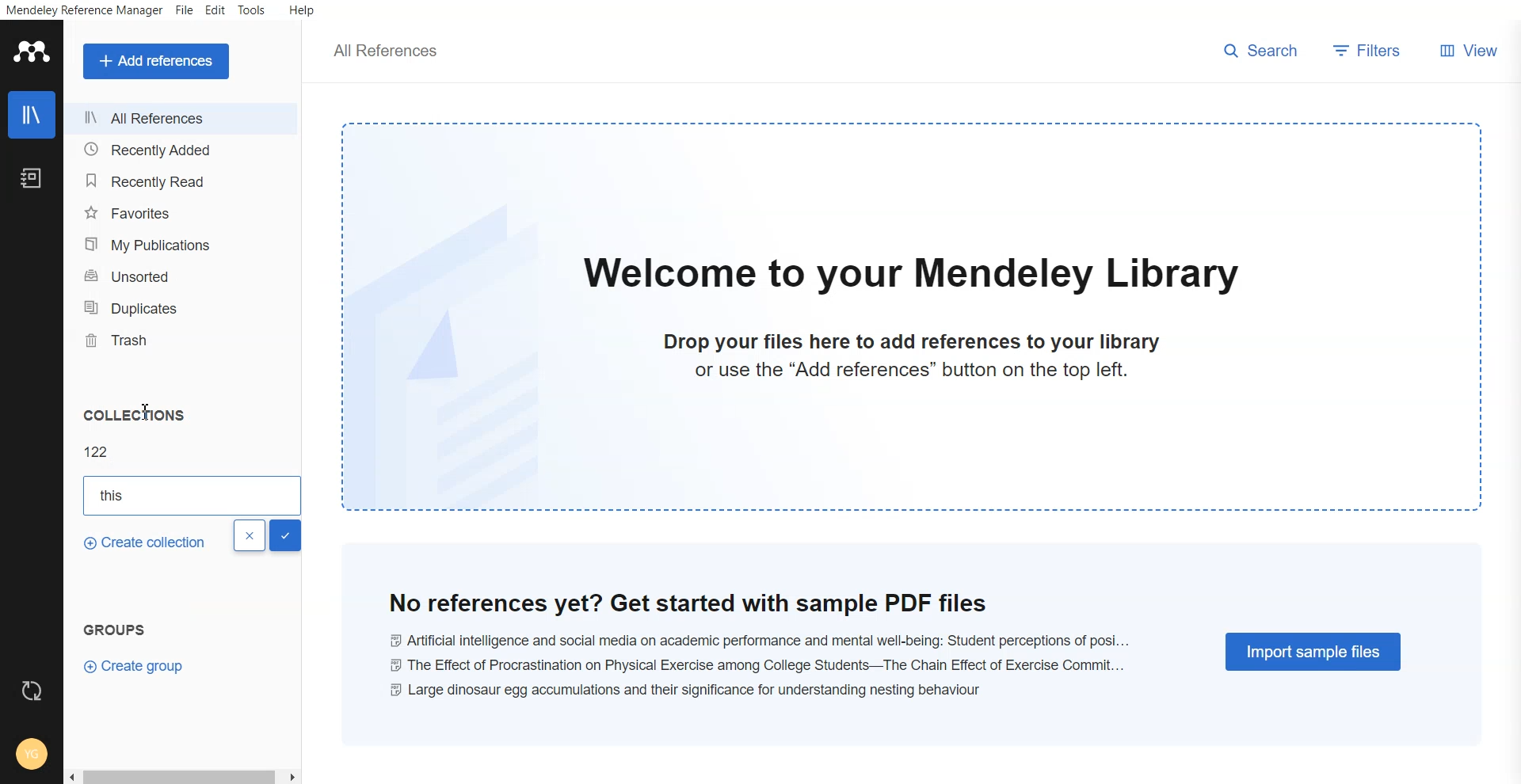 This screenshot has width=1521, height=784. I want to click on Favourites, so click(183, 213).